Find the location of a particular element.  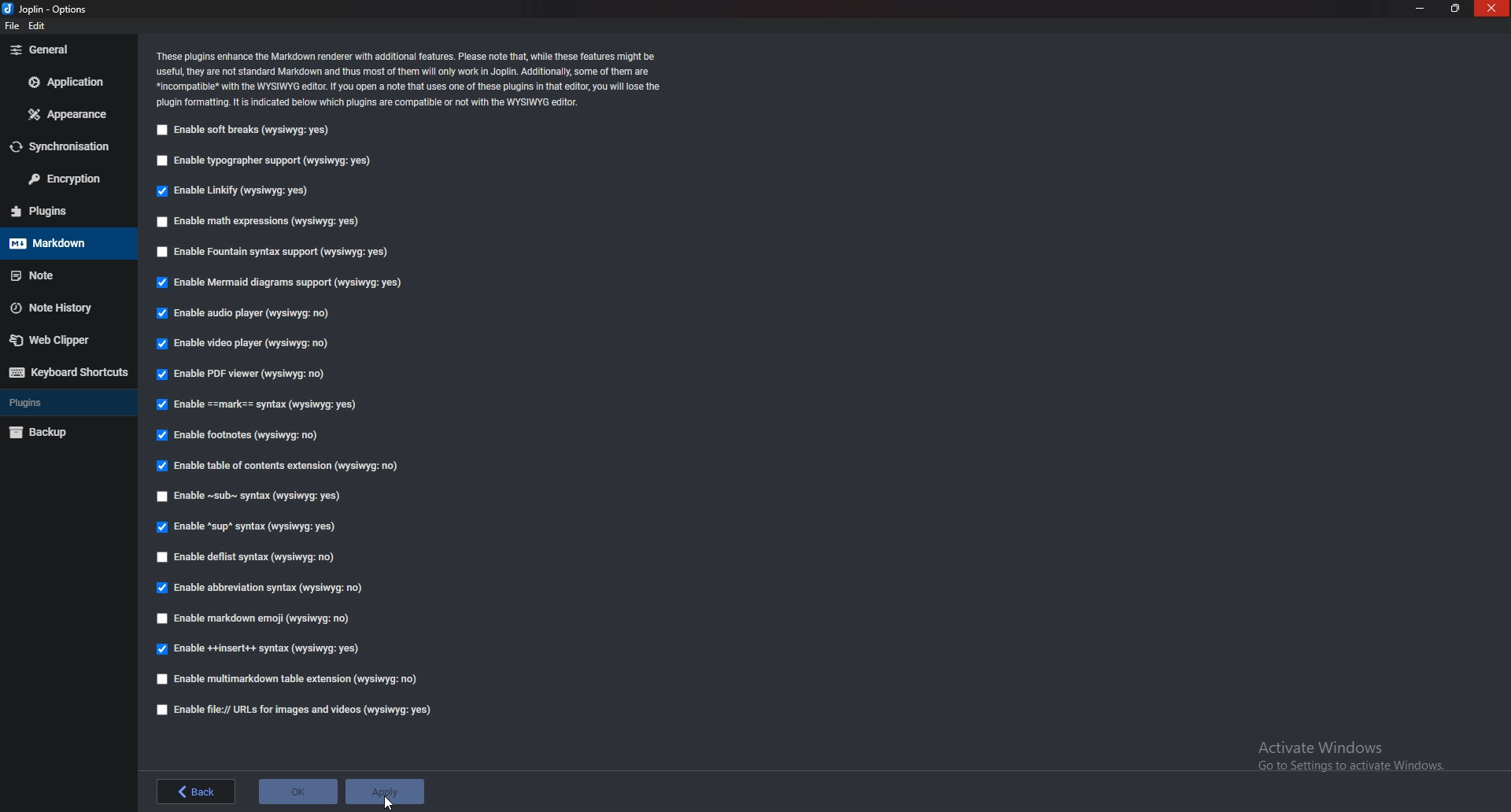

Application is located at coordinates (69, 80).